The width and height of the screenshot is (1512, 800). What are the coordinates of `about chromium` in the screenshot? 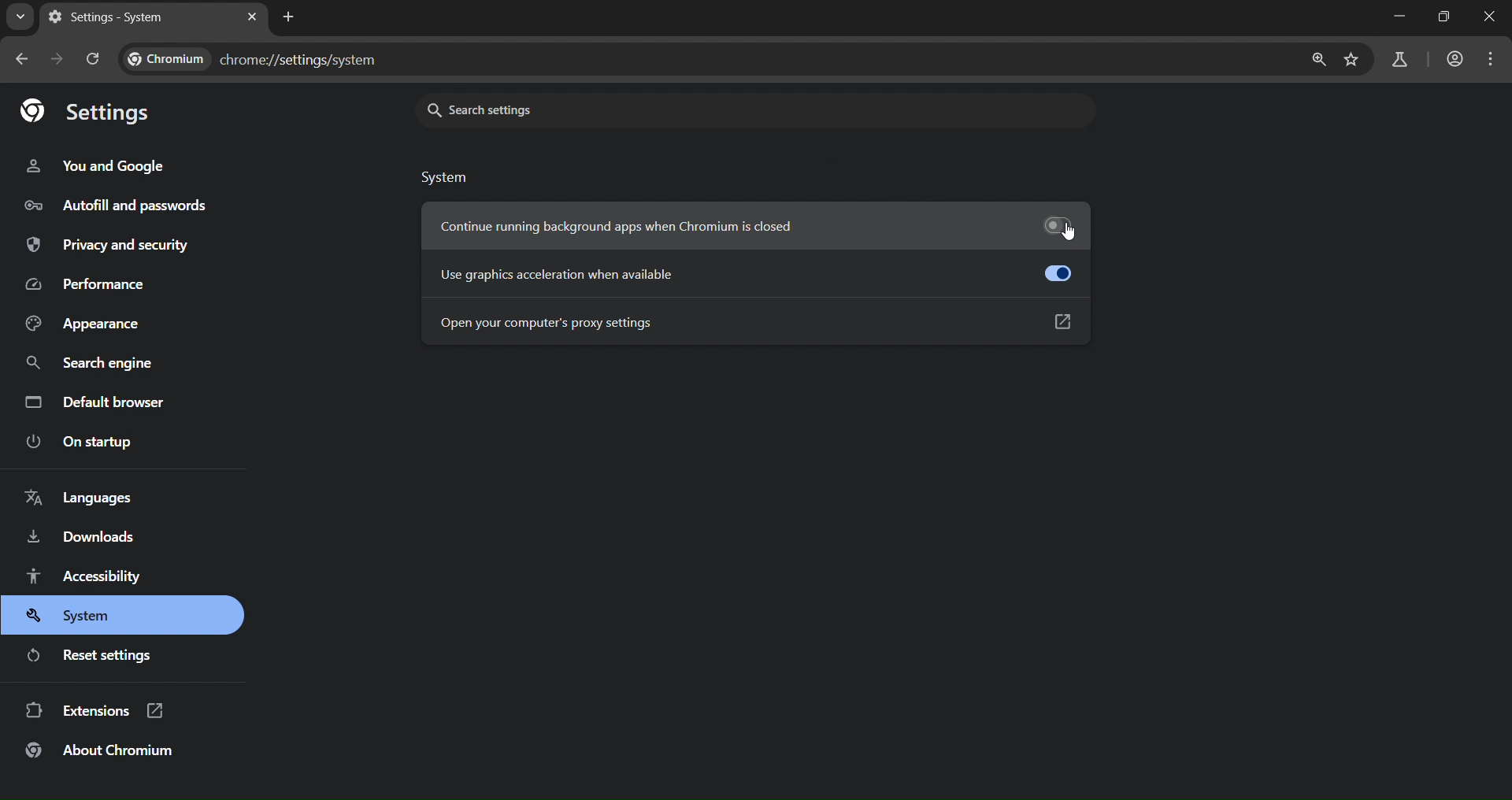 It's located at (104, 753).